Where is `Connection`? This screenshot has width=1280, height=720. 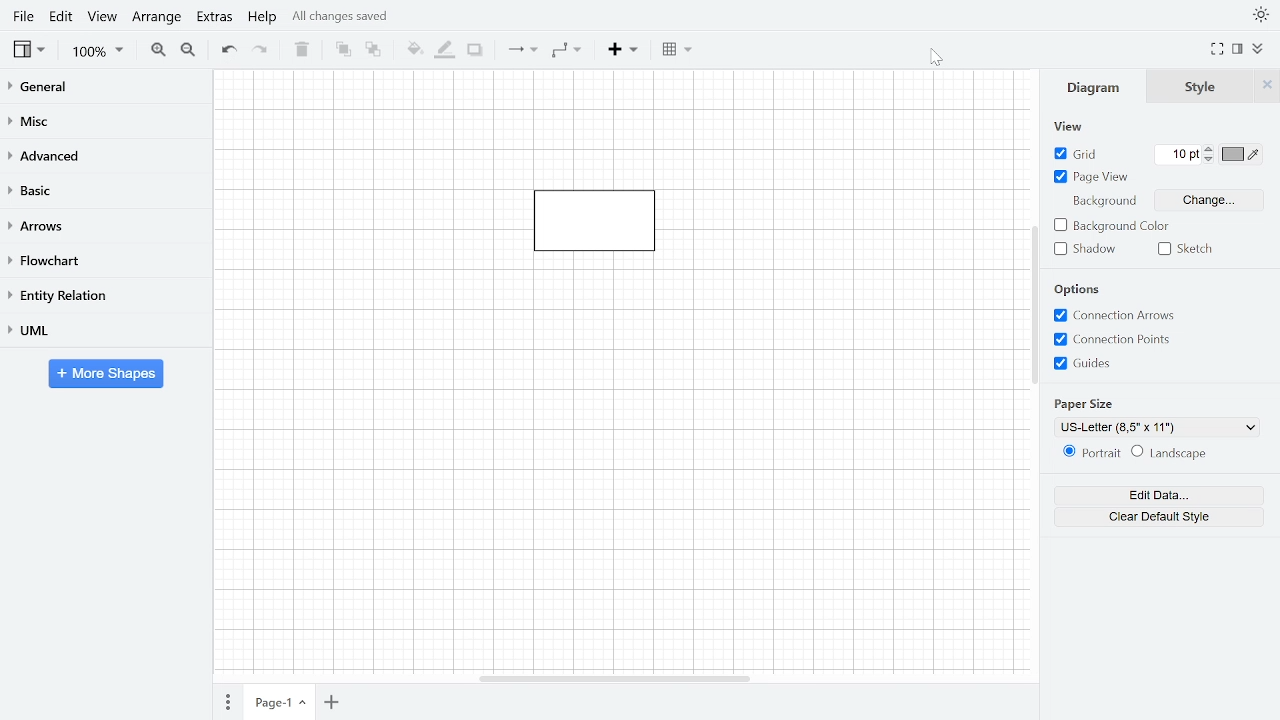
Connection is located at coordinates (522, 50).